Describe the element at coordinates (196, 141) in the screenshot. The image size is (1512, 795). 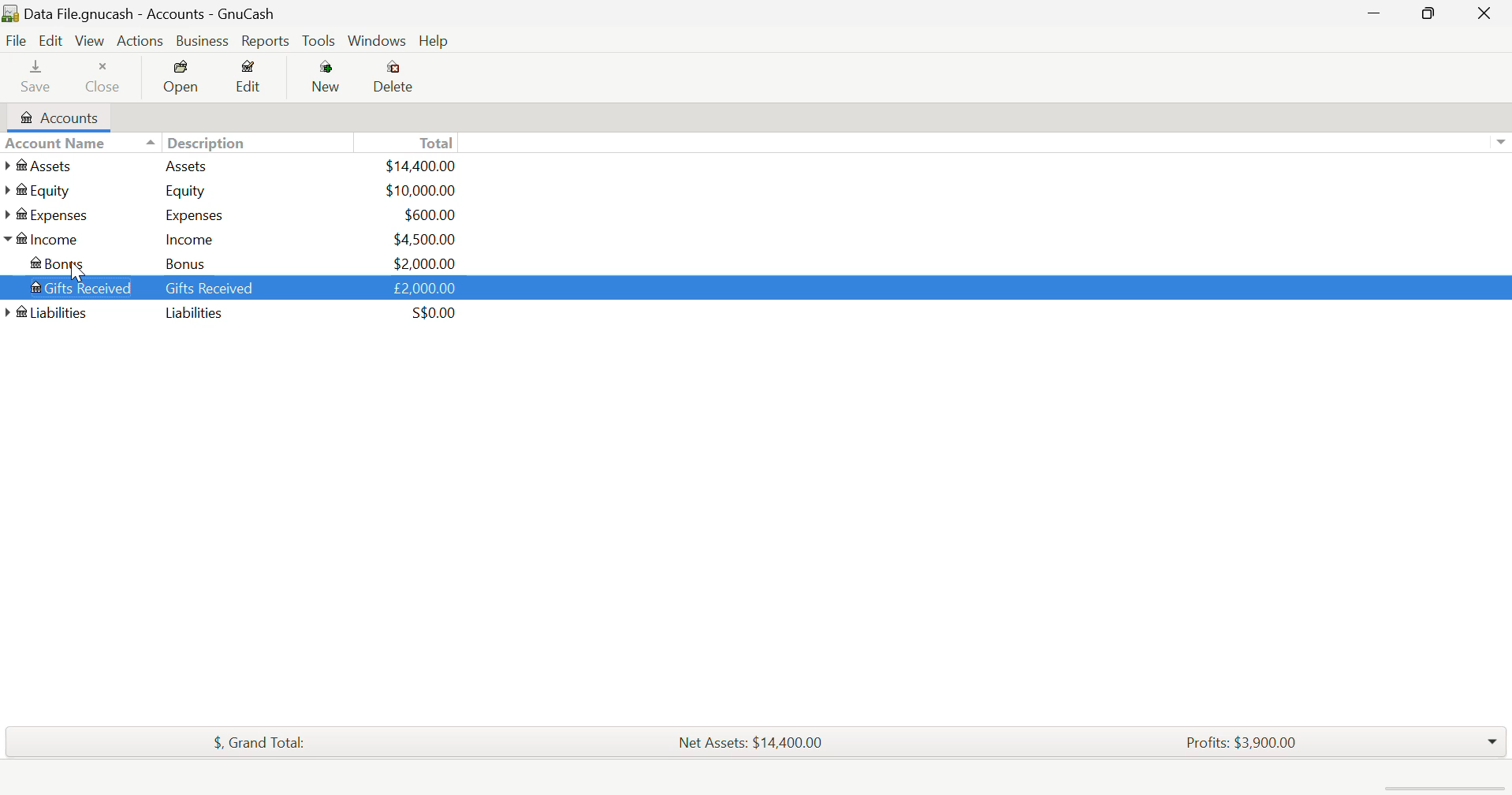
I see `Description` at that location.